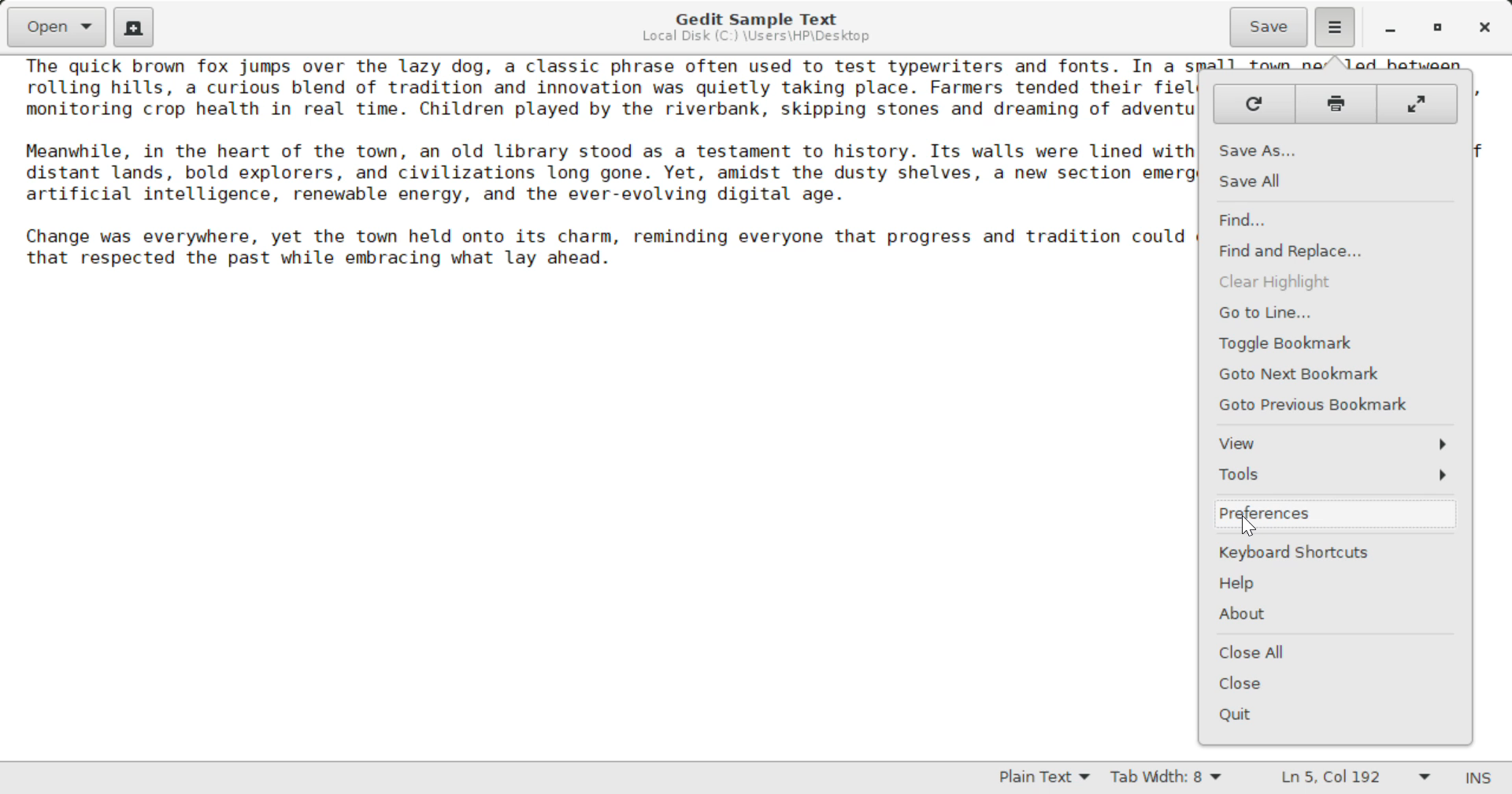 The image size is (1512, 794). I want to click on Line & Character Count, so click(1348, 779).